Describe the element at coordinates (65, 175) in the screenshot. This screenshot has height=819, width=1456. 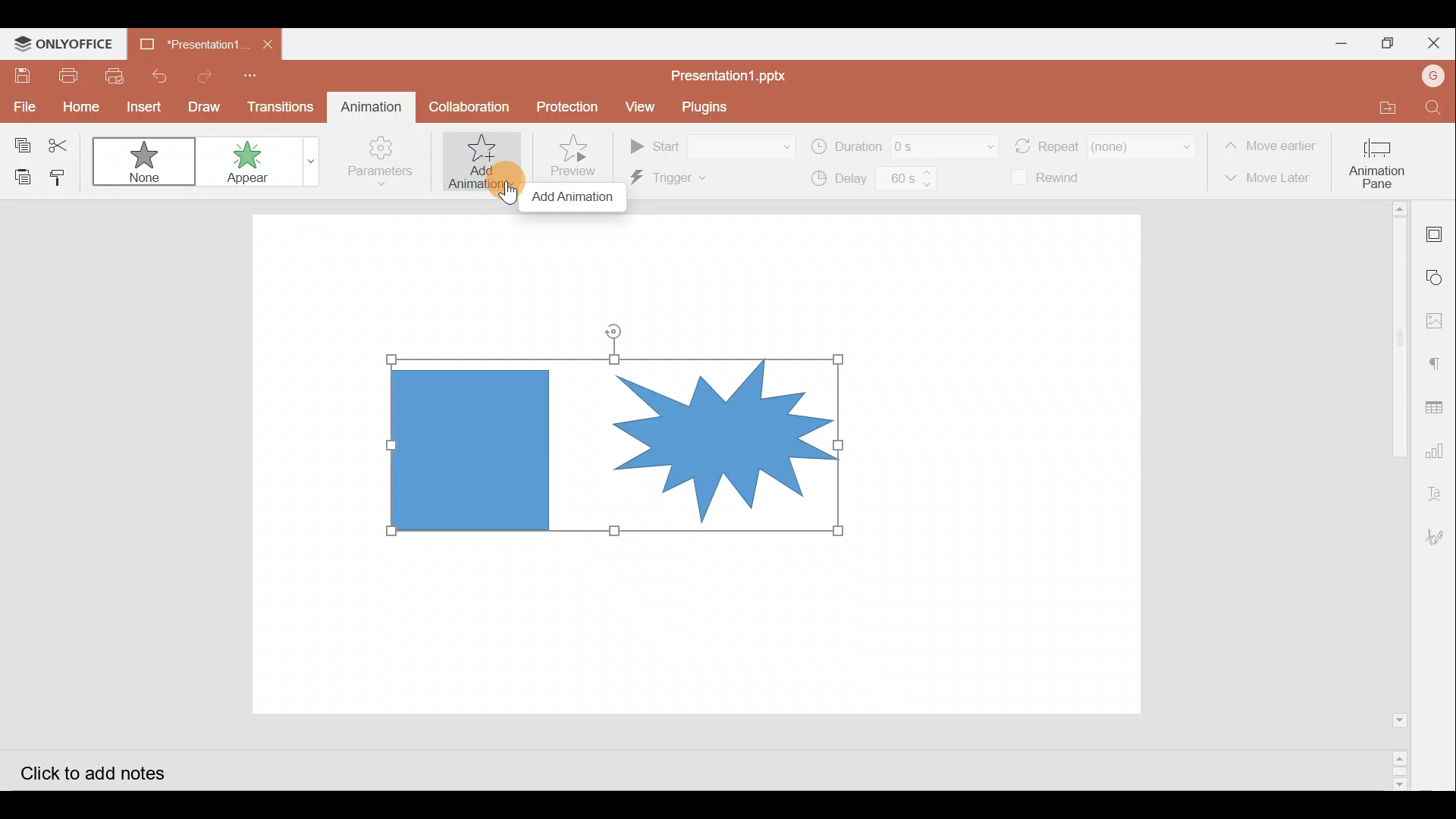
I see `Copy style` at that location.